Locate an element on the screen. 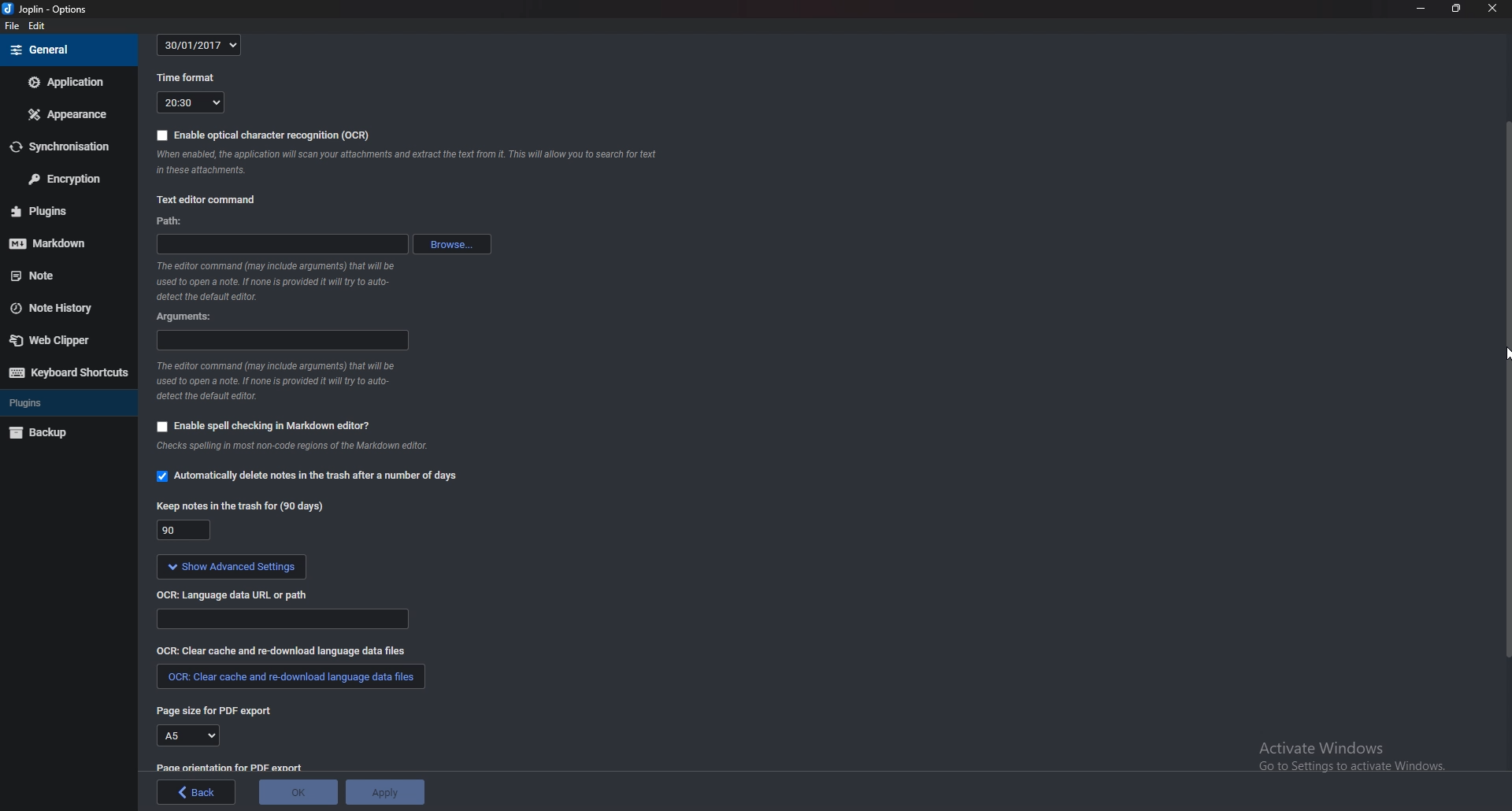 Image resolution: width=1512 pixels, height=811 pixels. A5 is located at coordinates (190, 736).